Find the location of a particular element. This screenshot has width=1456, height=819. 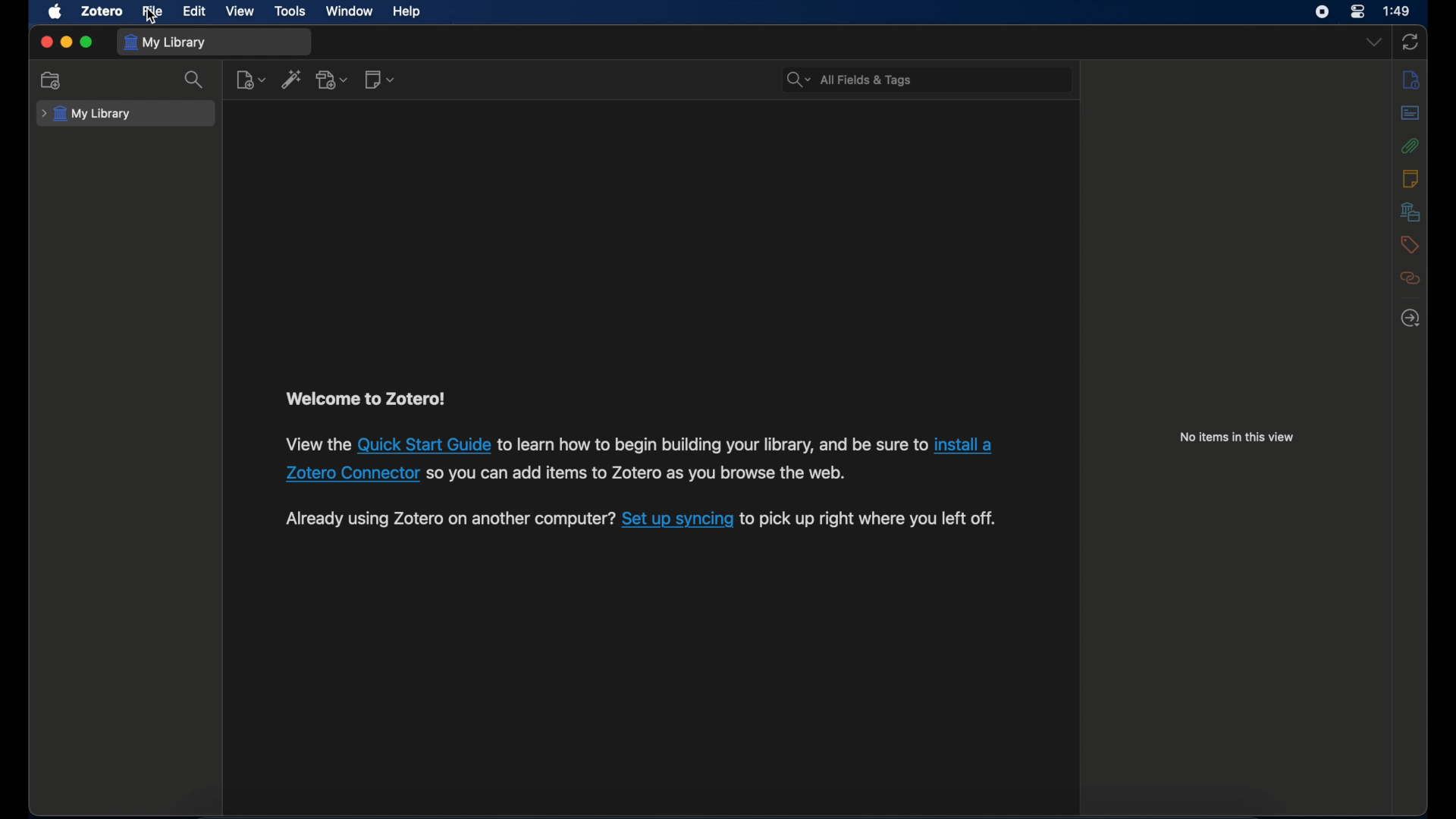

new collection is located at coordinates (54, 80).